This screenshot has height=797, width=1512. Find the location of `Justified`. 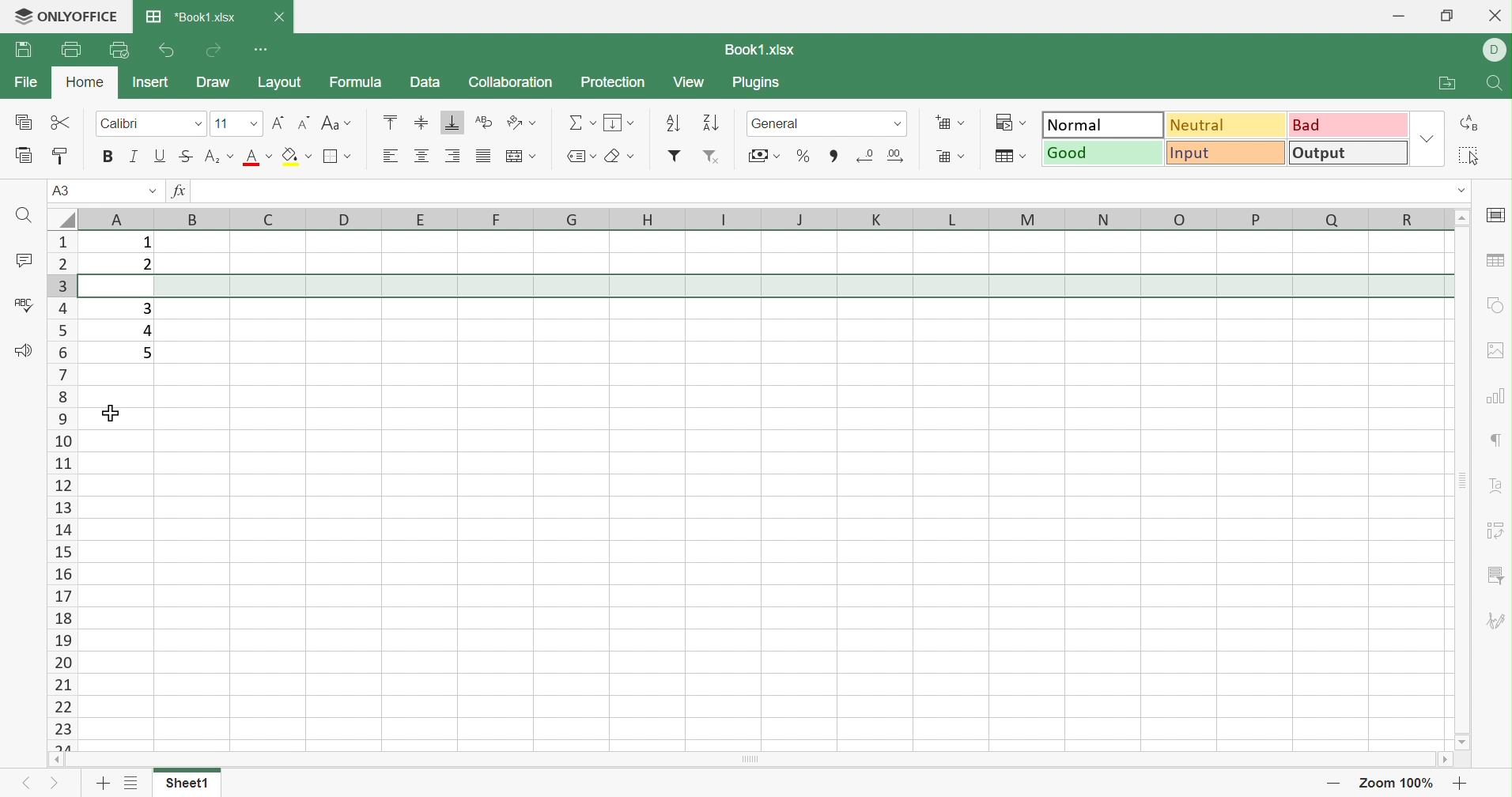

Justified is located at coordinates (483, 157).